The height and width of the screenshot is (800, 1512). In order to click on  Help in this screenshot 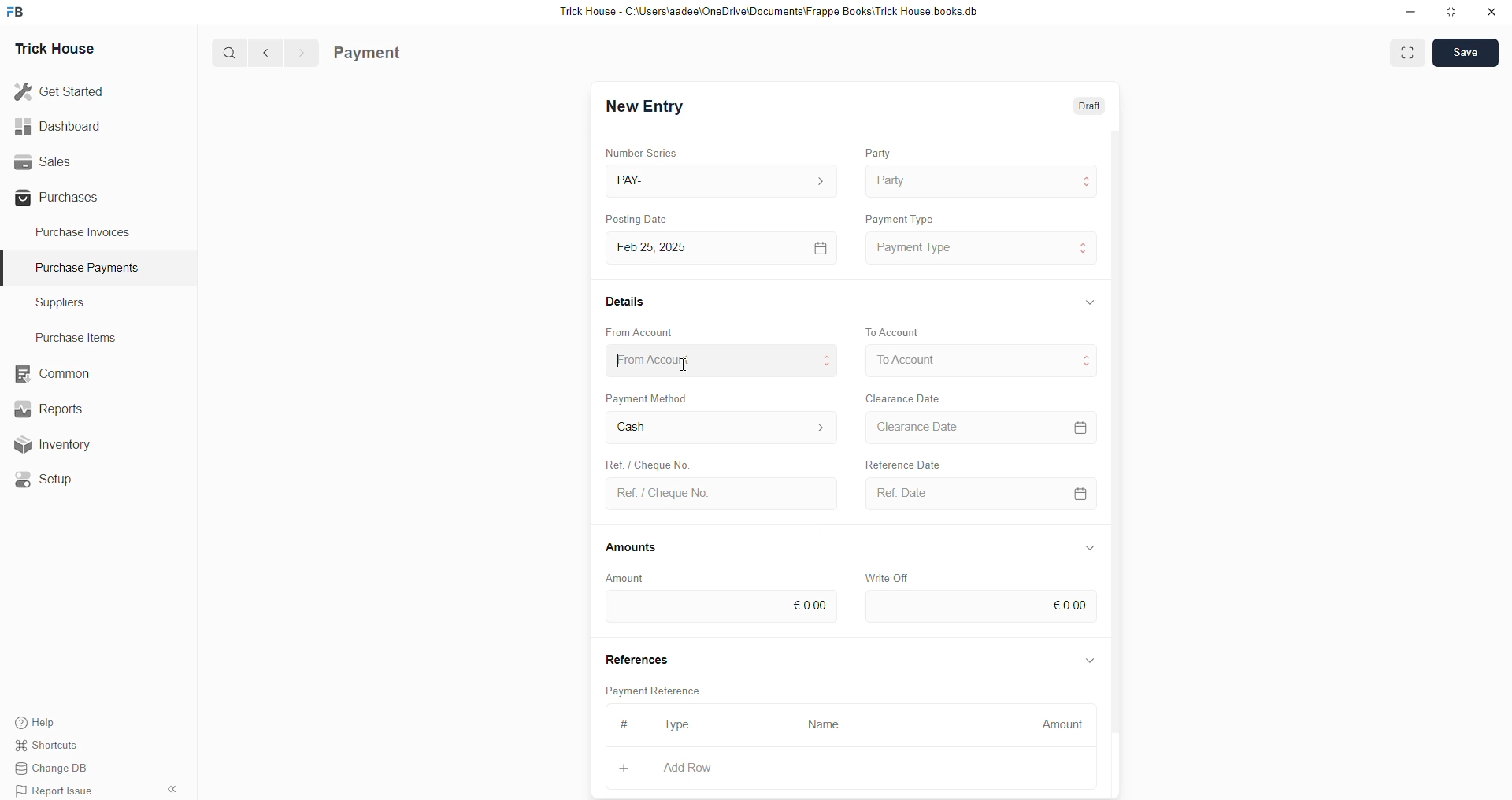, I will do `click(59, 720)`.